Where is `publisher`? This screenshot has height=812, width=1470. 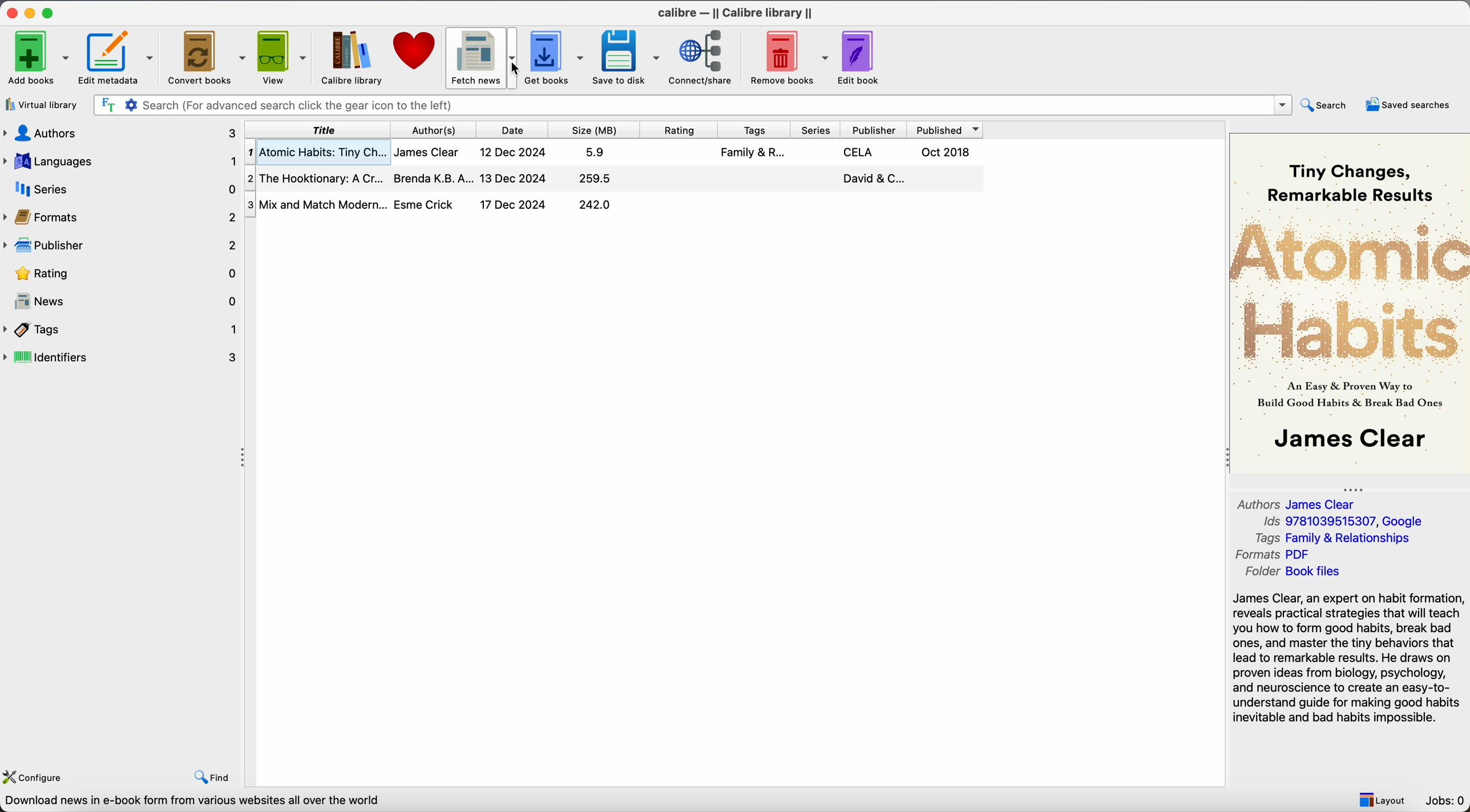
publisher is located at coordinates (119, 245).